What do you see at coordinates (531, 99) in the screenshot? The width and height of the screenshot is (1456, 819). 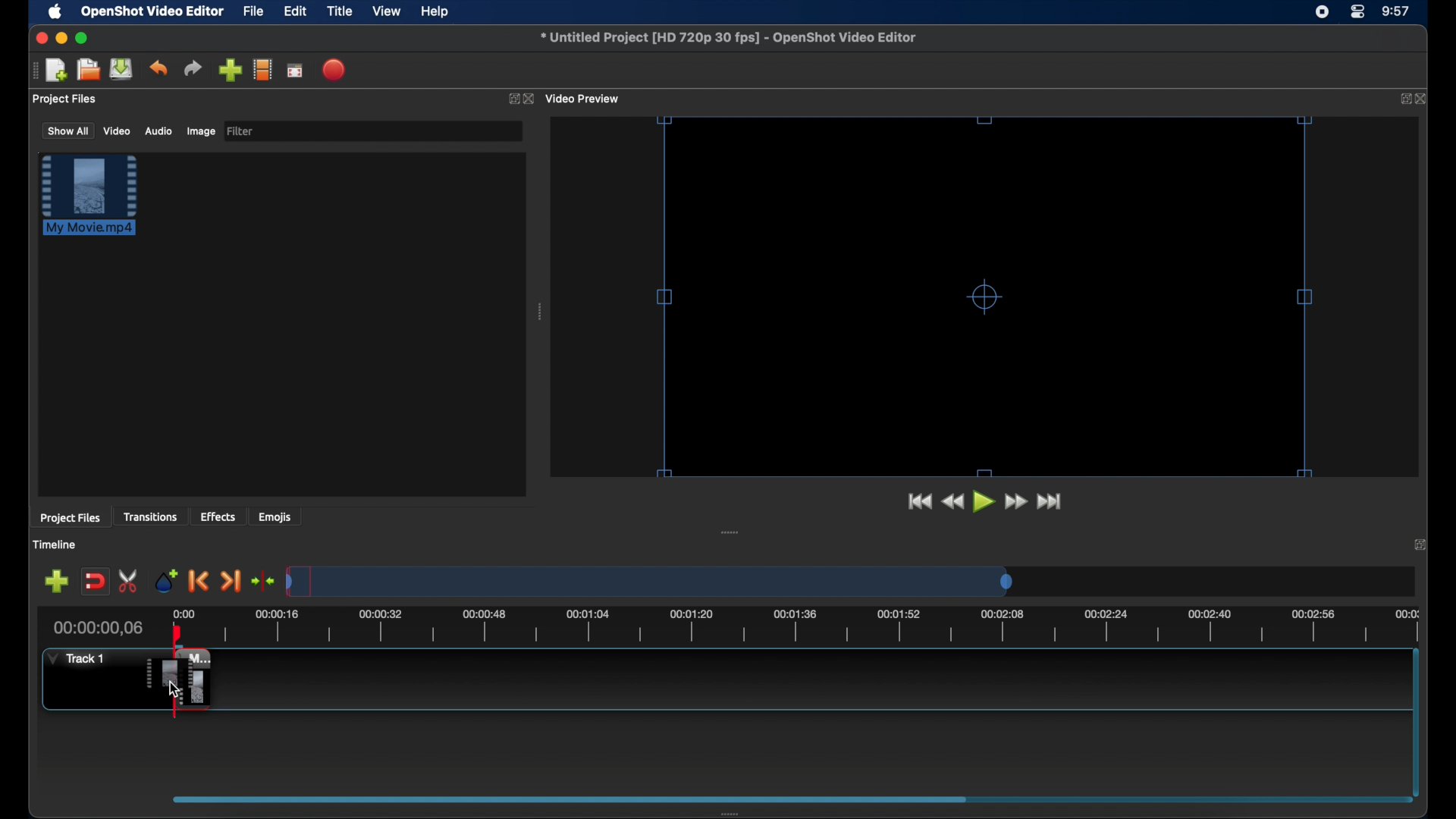 I see `close` at bounding box center [531, 99].